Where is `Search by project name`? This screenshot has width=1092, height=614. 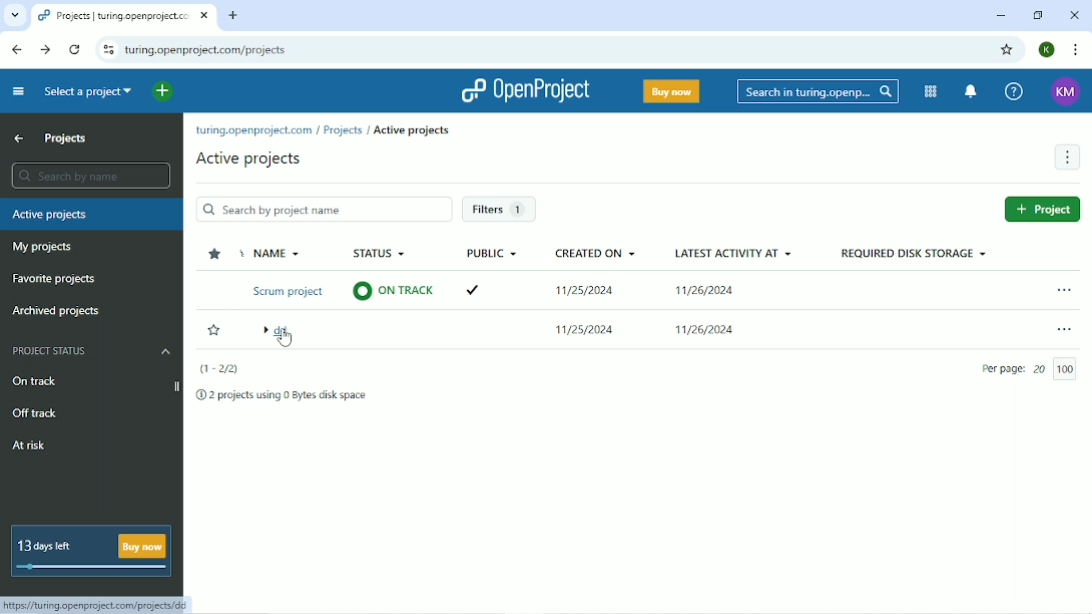
Search by project name is located at coordinates (324, 209).